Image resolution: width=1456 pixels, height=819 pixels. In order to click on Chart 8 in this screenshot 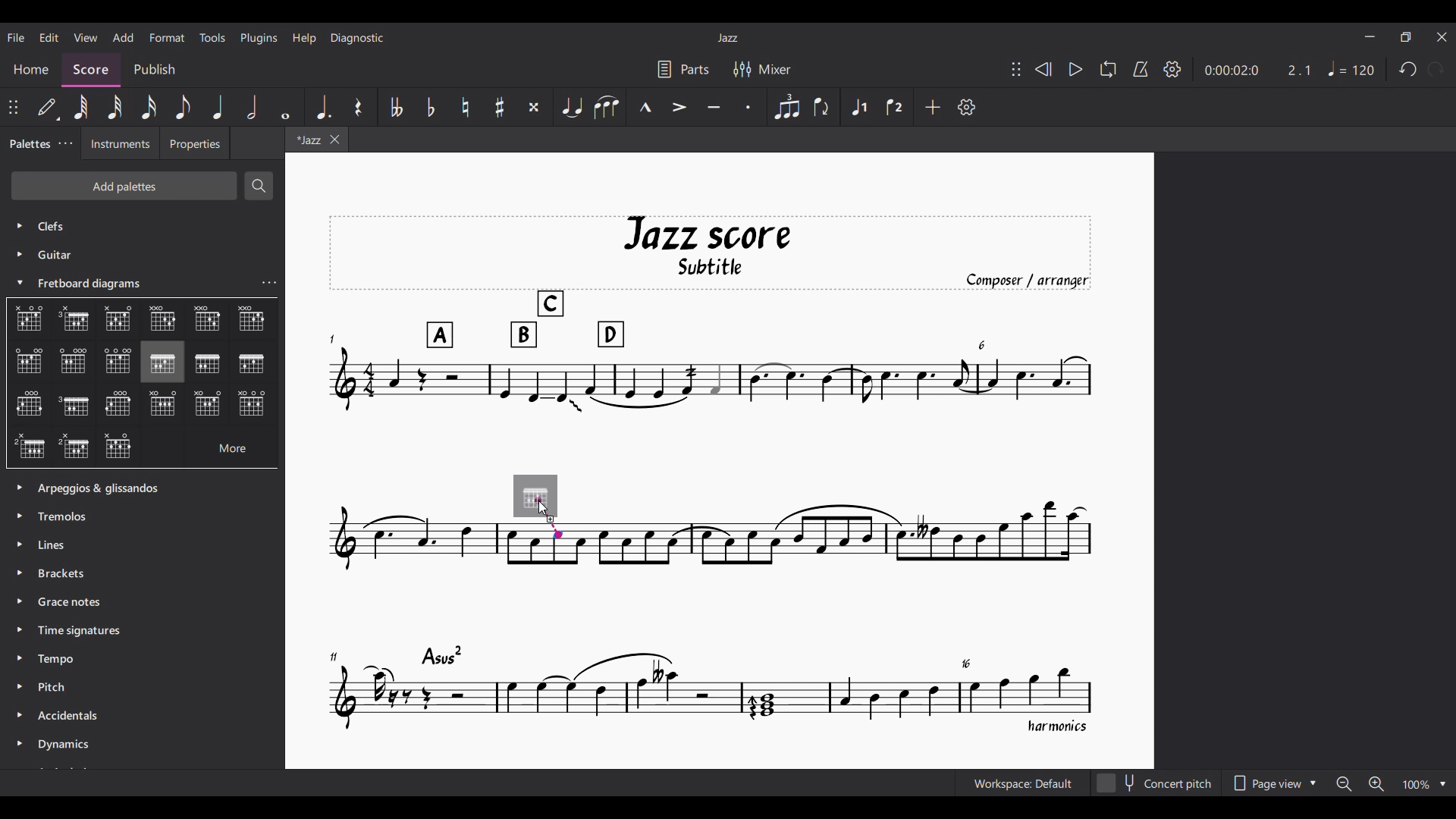, I will do `click(117, 359)`.